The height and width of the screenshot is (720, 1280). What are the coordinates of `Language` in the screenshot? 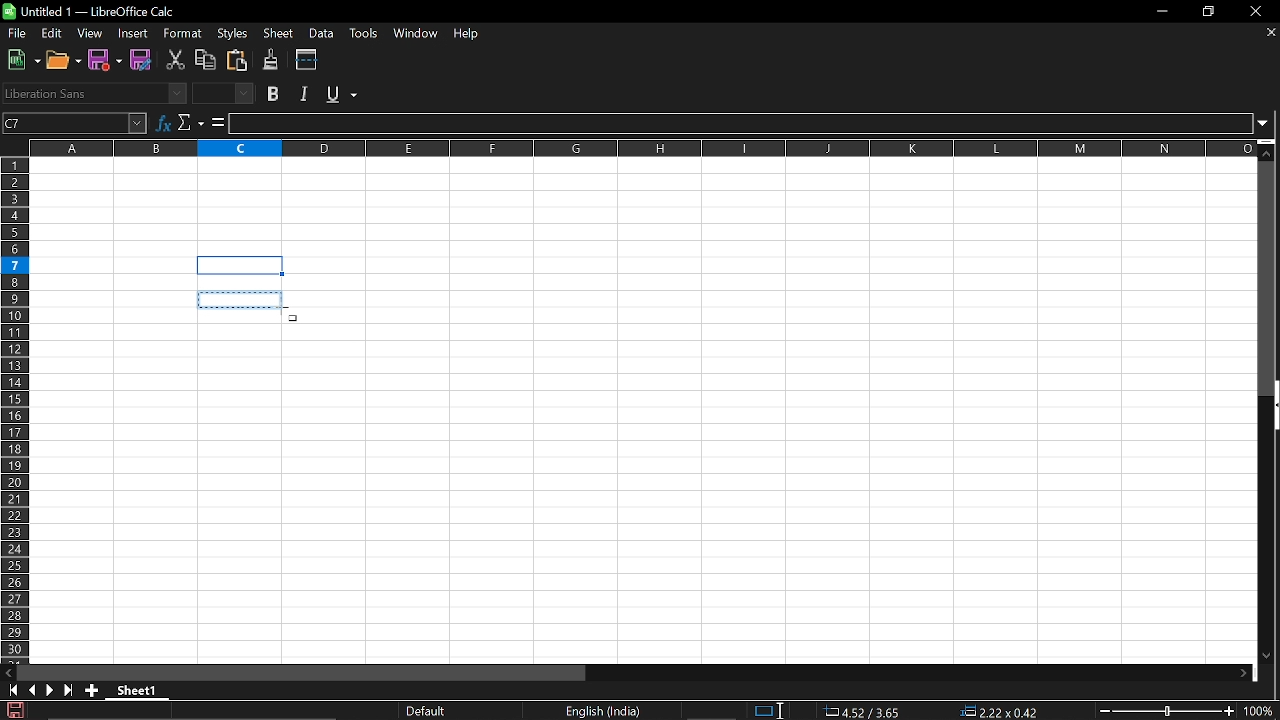 It's located at (603, 712).